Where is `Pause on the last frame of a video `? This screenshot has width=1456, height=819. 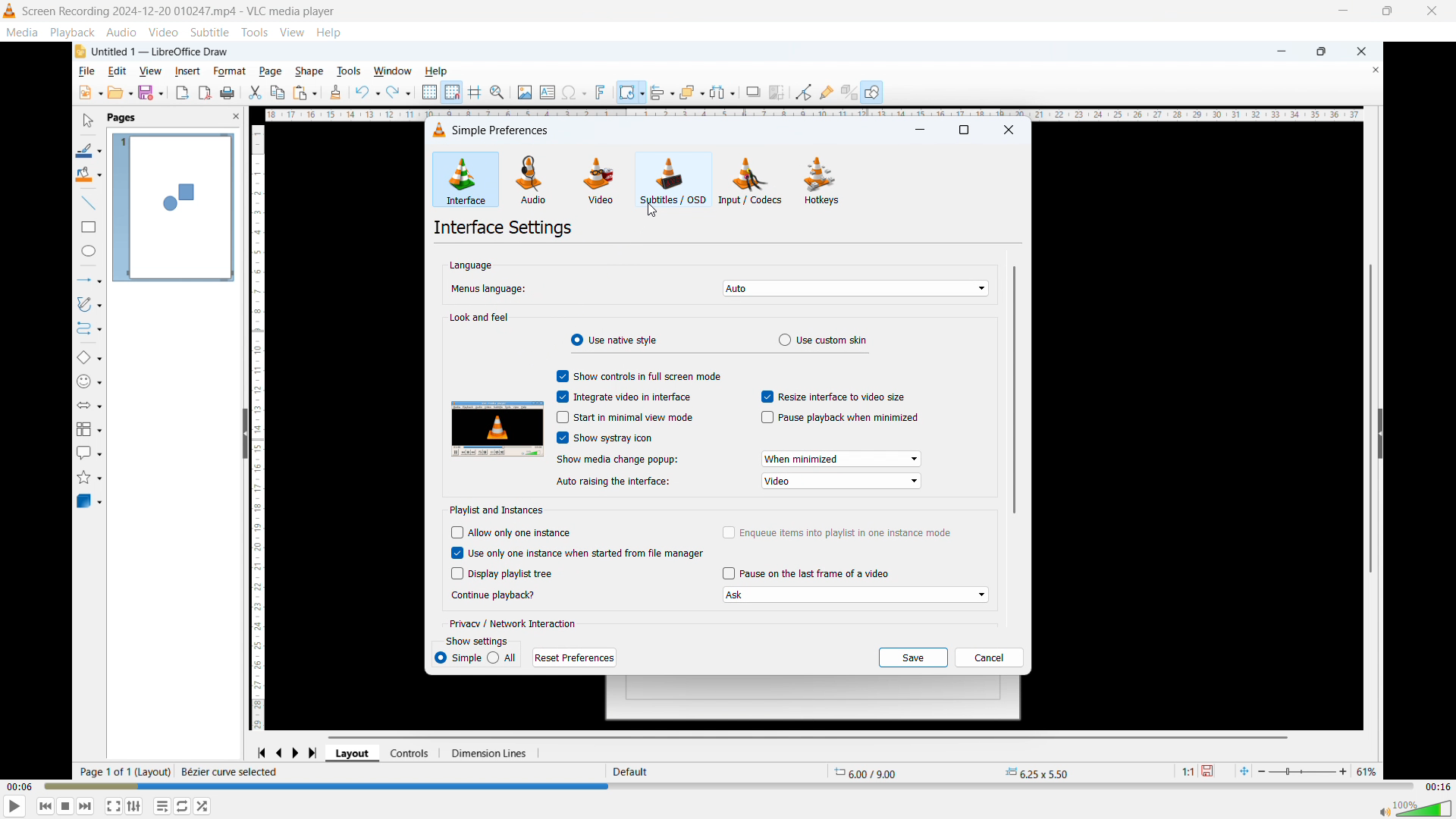 Pause on the last frame of a video  is located at coordinates (808, 573).